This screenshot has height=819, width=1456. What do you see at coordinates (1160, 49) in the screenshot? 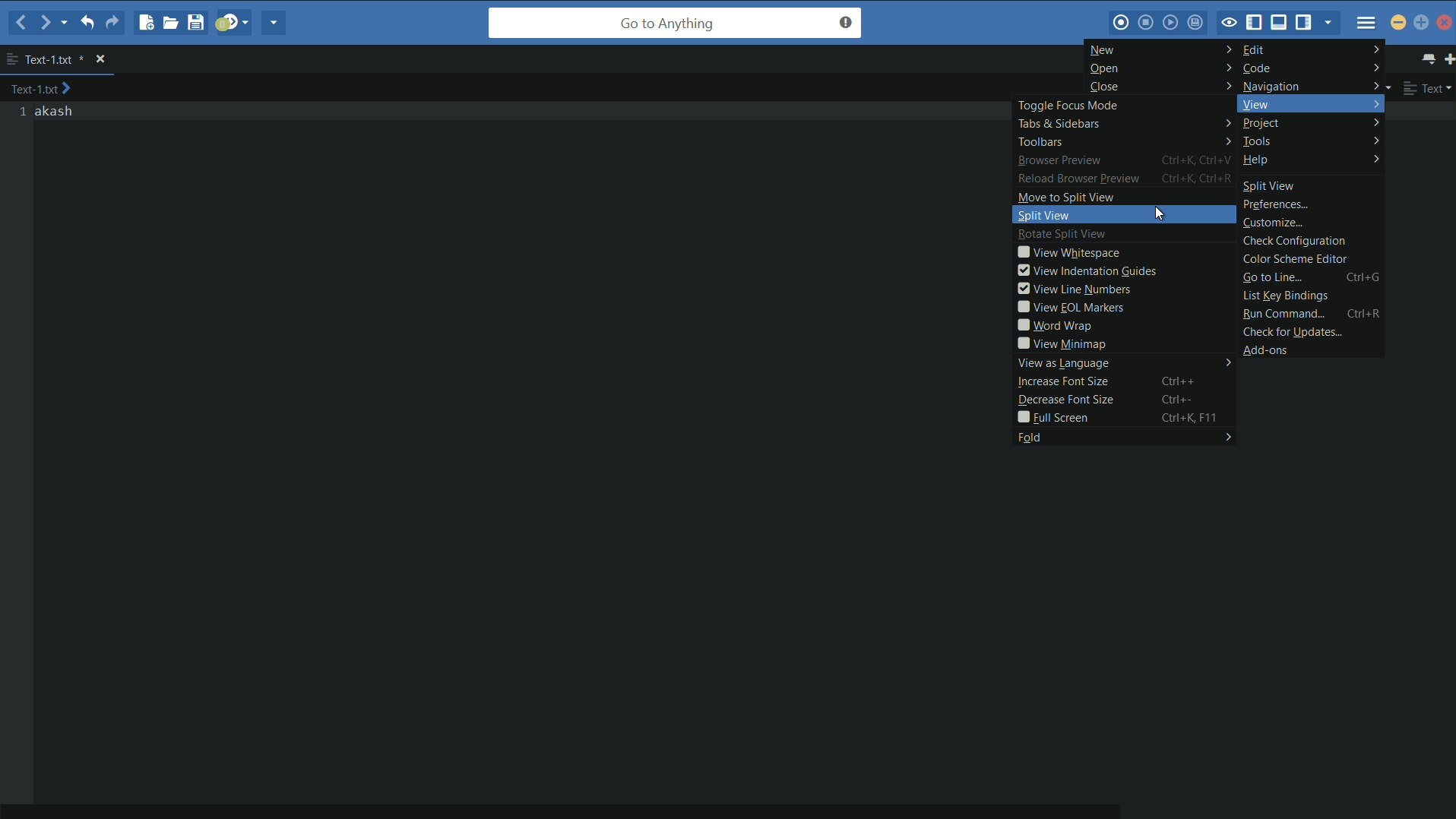
I see `new` at bounding box center [1160, 49].